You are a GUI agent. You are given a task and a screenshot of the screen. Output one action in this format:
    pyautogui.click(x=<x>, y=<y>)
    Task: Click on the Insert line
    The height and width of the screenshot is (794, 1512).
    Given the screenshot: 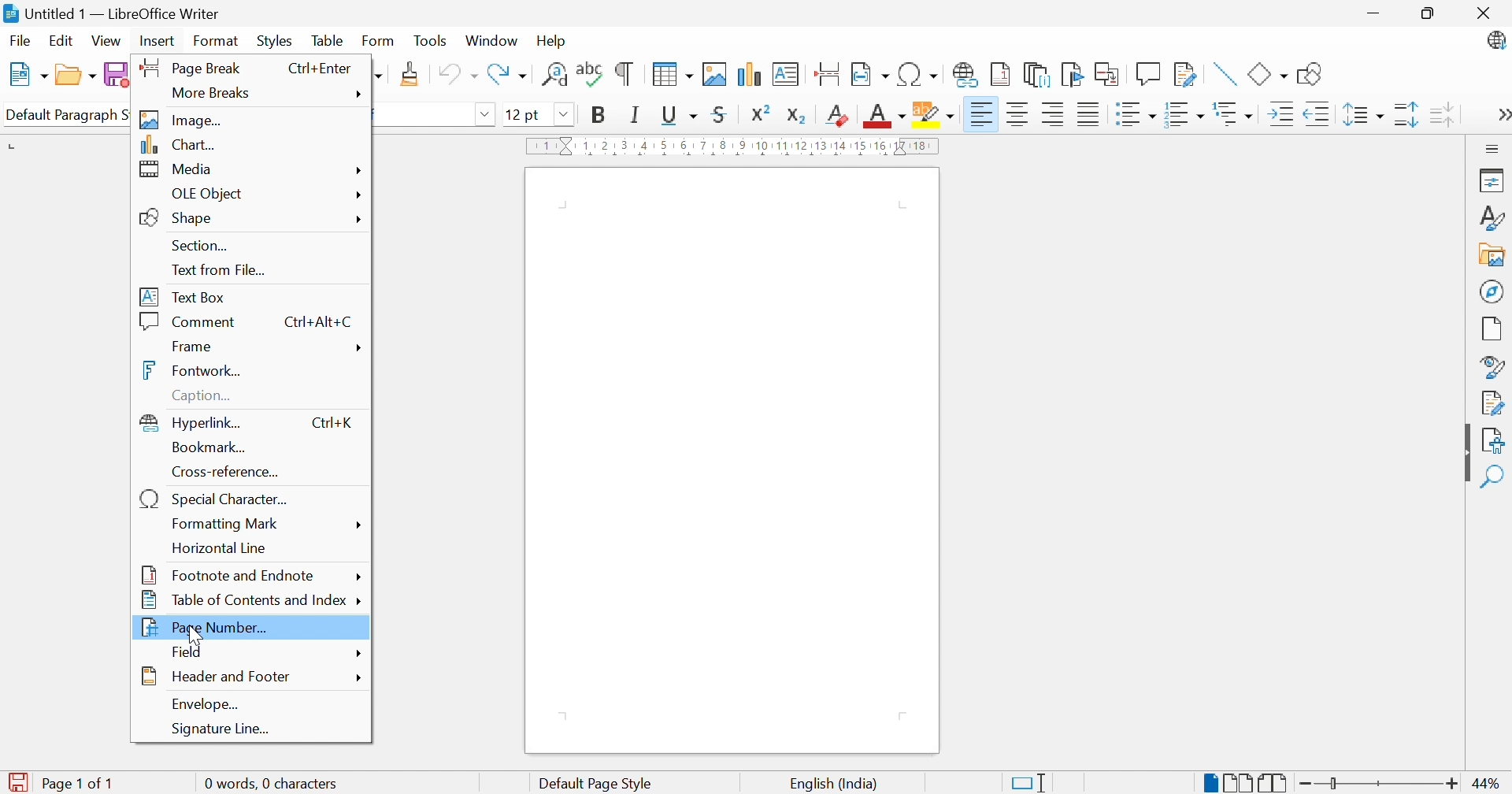 What is the action you would take?
    pyautogui.click(x=1222, y=74)
    